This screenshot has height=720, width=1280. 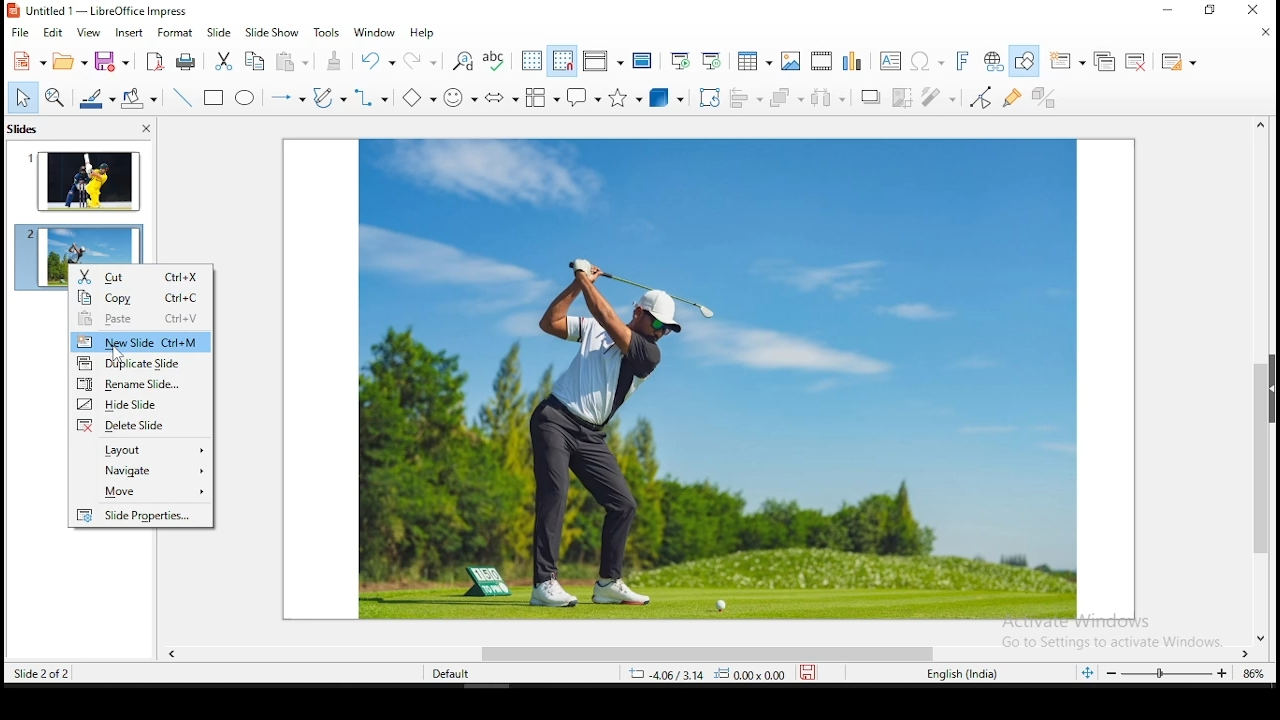 What do you see at coordinates (80, 244) in the screenshot?
I see `slide 2` at bounding box center [80, 244].